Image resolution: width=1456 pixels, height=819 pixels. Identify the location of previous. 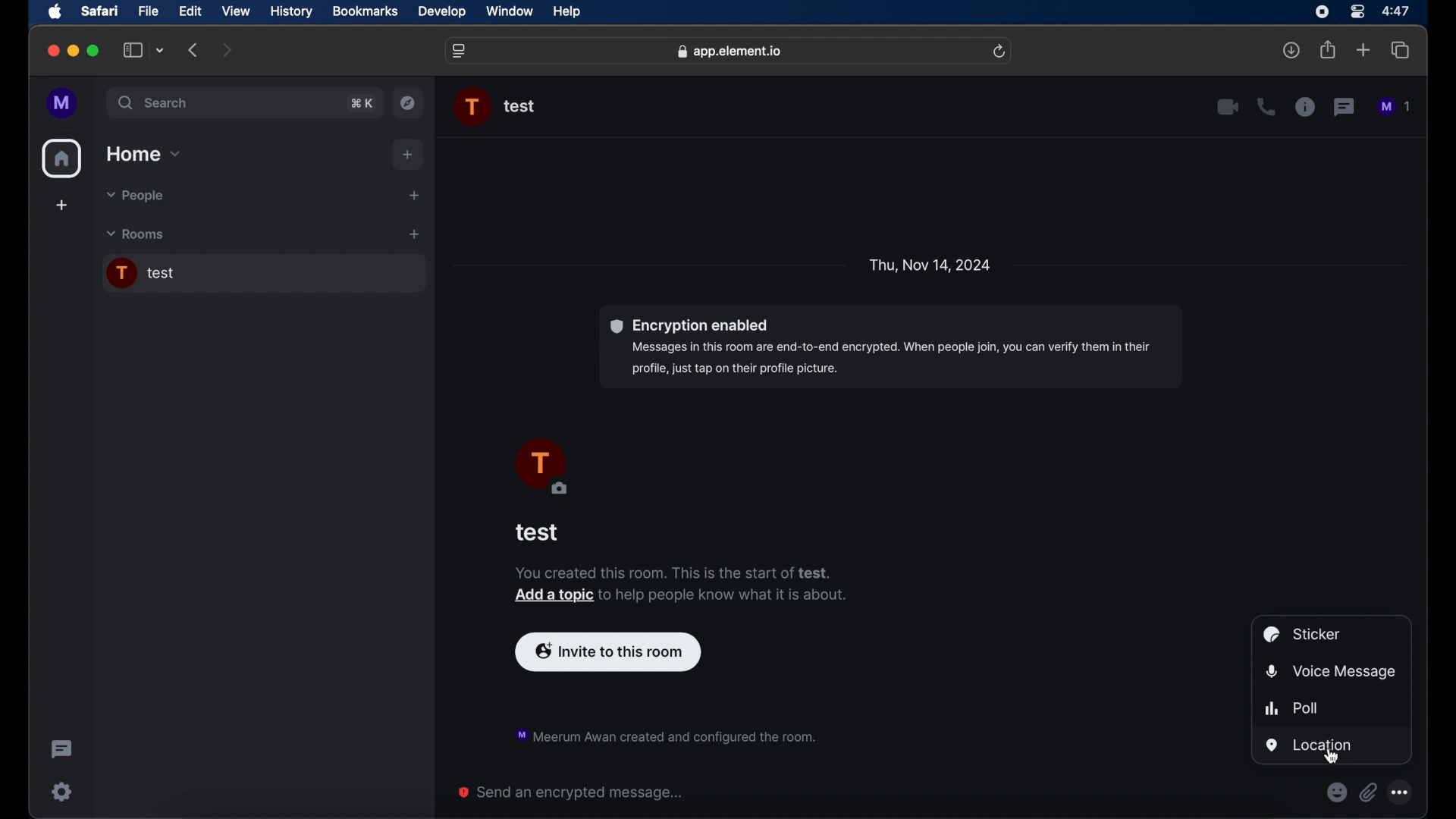
(194, 50).